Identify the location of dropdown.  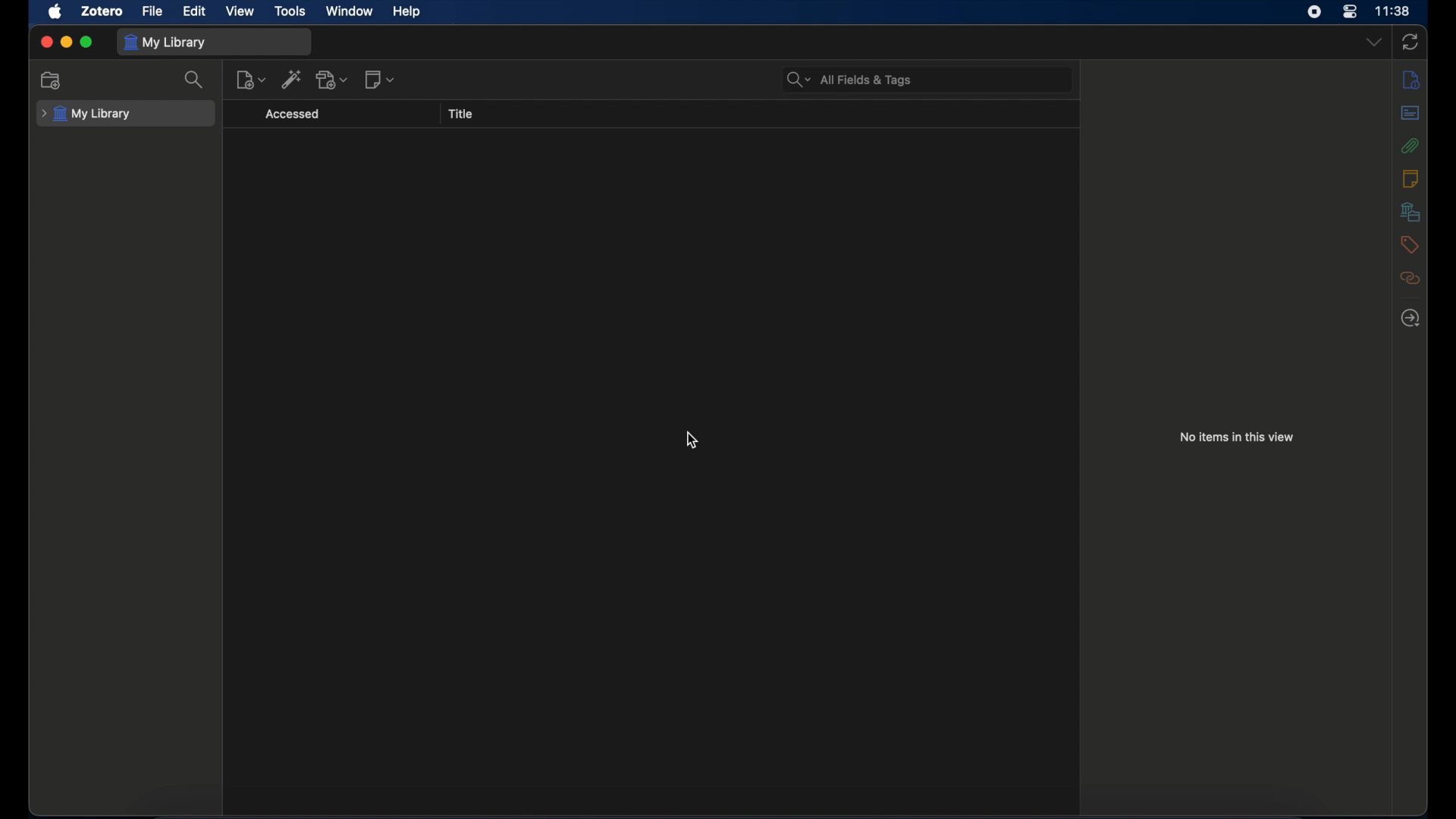
(1373, 42).